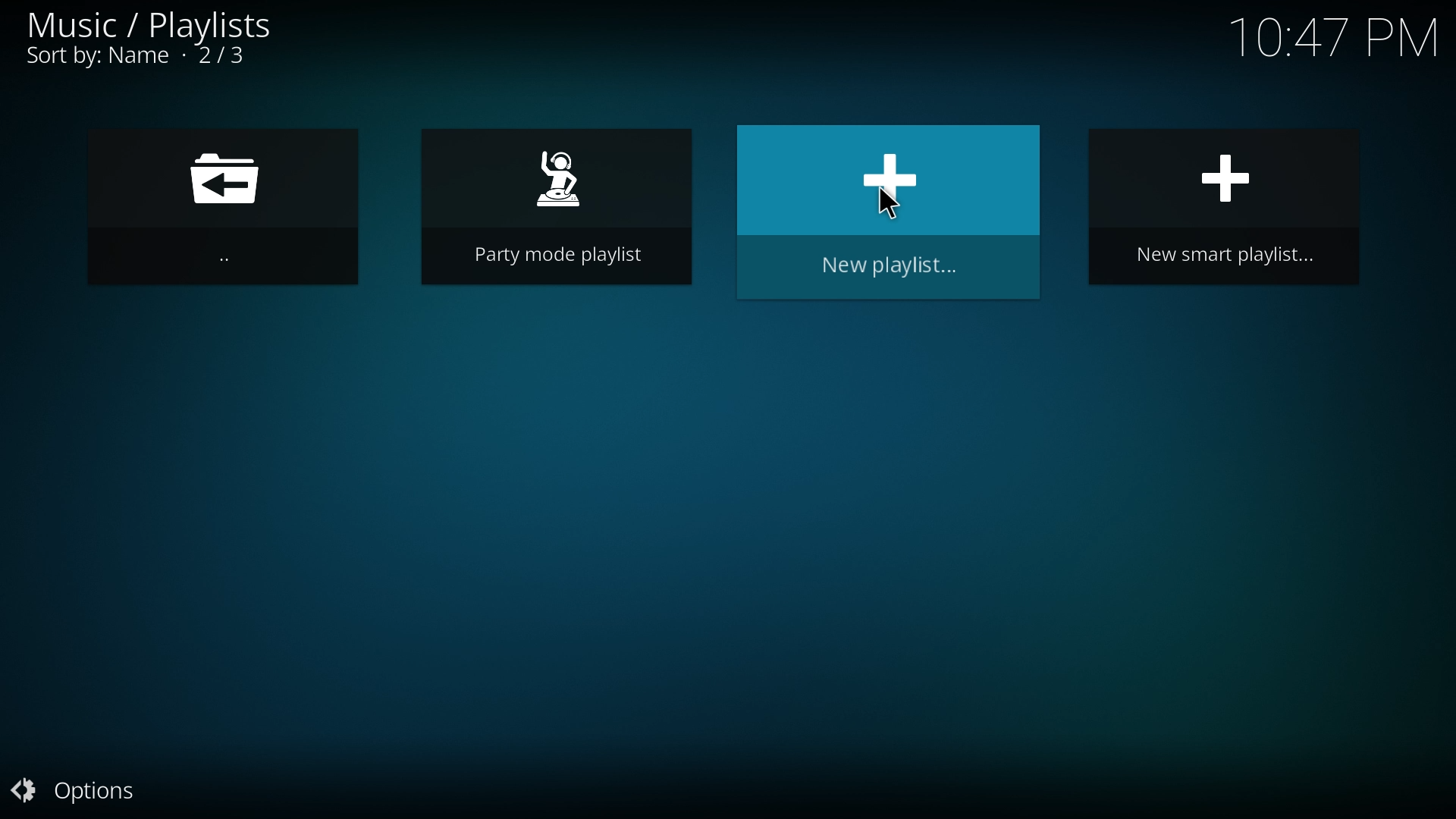 This screenshot has width=1456, height=819. Describe the element at coordinates (1224, 206) in the screenshot. I see `new smart playlist` at that location.